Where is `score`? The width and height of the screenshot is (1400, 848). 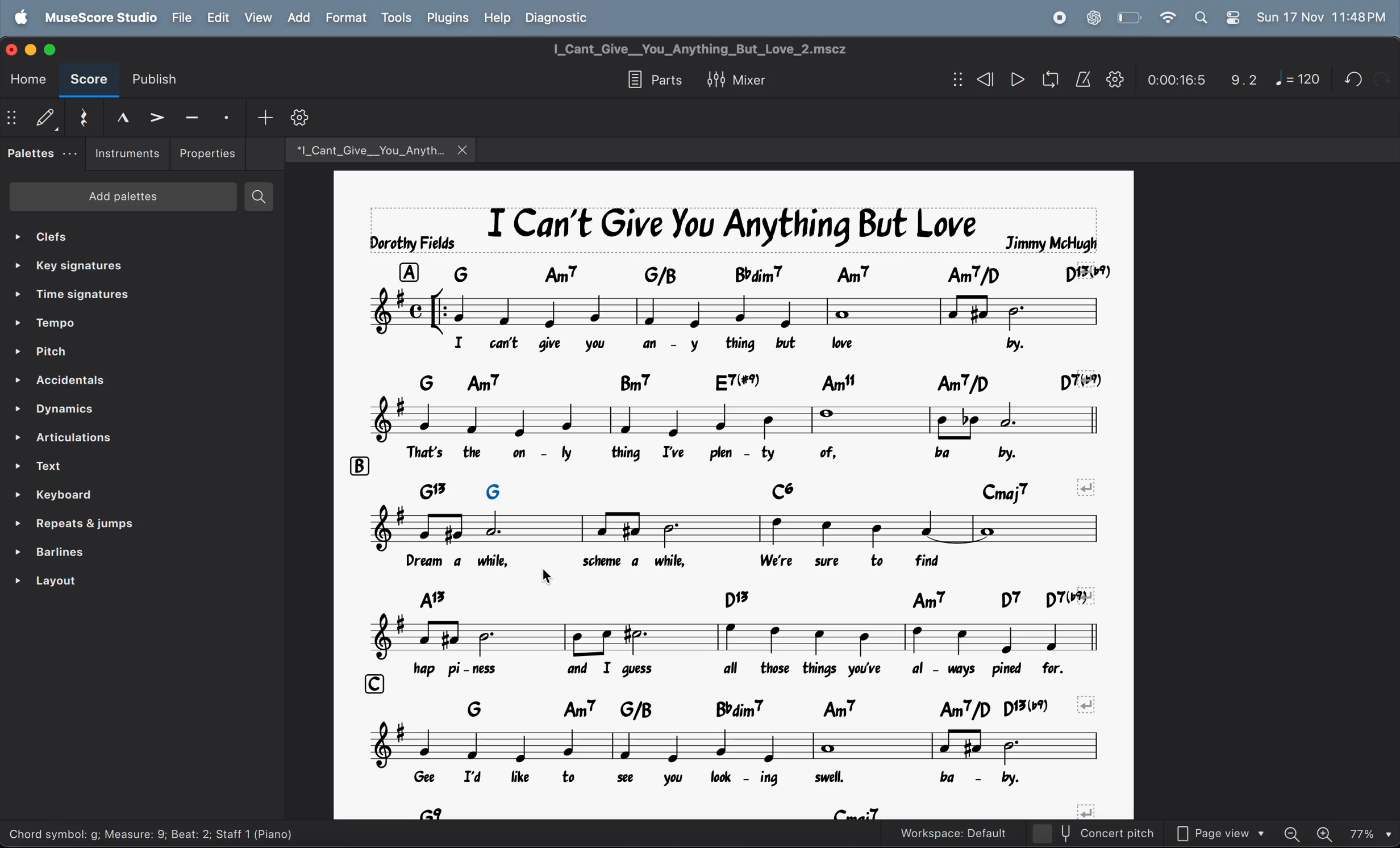 score is located at coordinates (89, 82).